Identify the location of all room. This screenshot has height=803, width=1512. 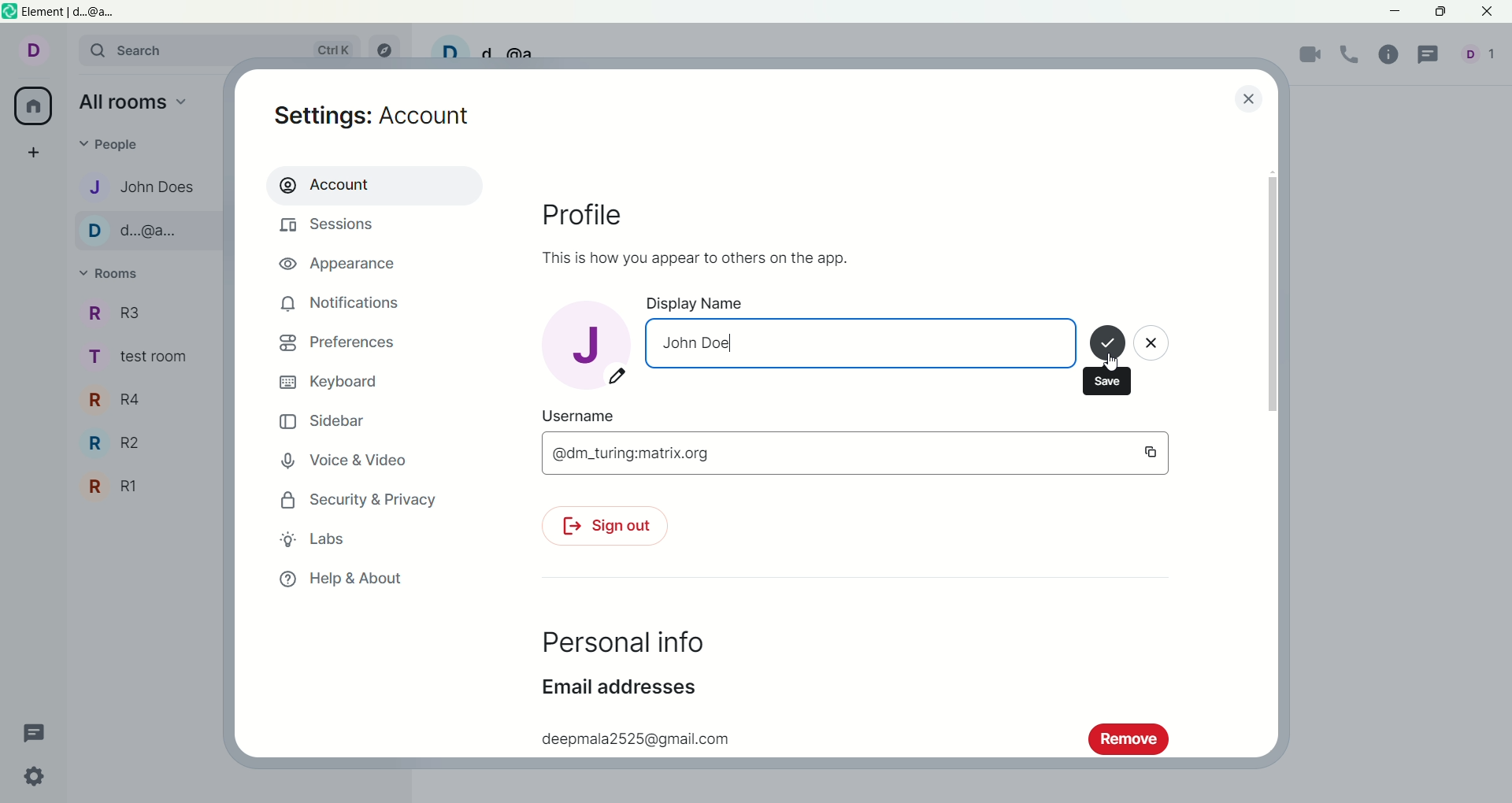
(31, 107).